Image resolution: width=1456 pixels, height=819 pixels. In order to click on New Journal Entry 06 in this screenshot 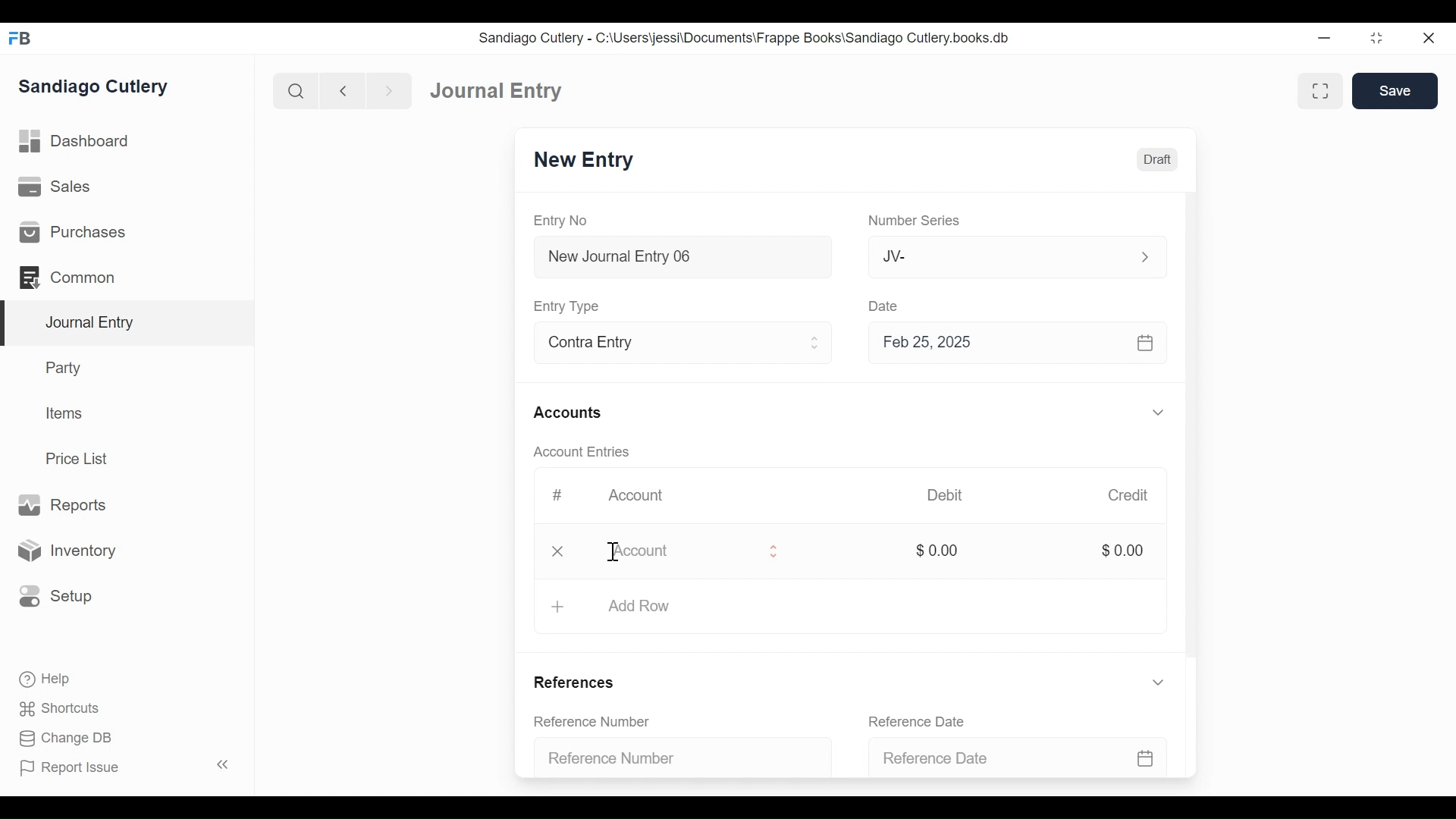, I will do `click(680, 259)`.